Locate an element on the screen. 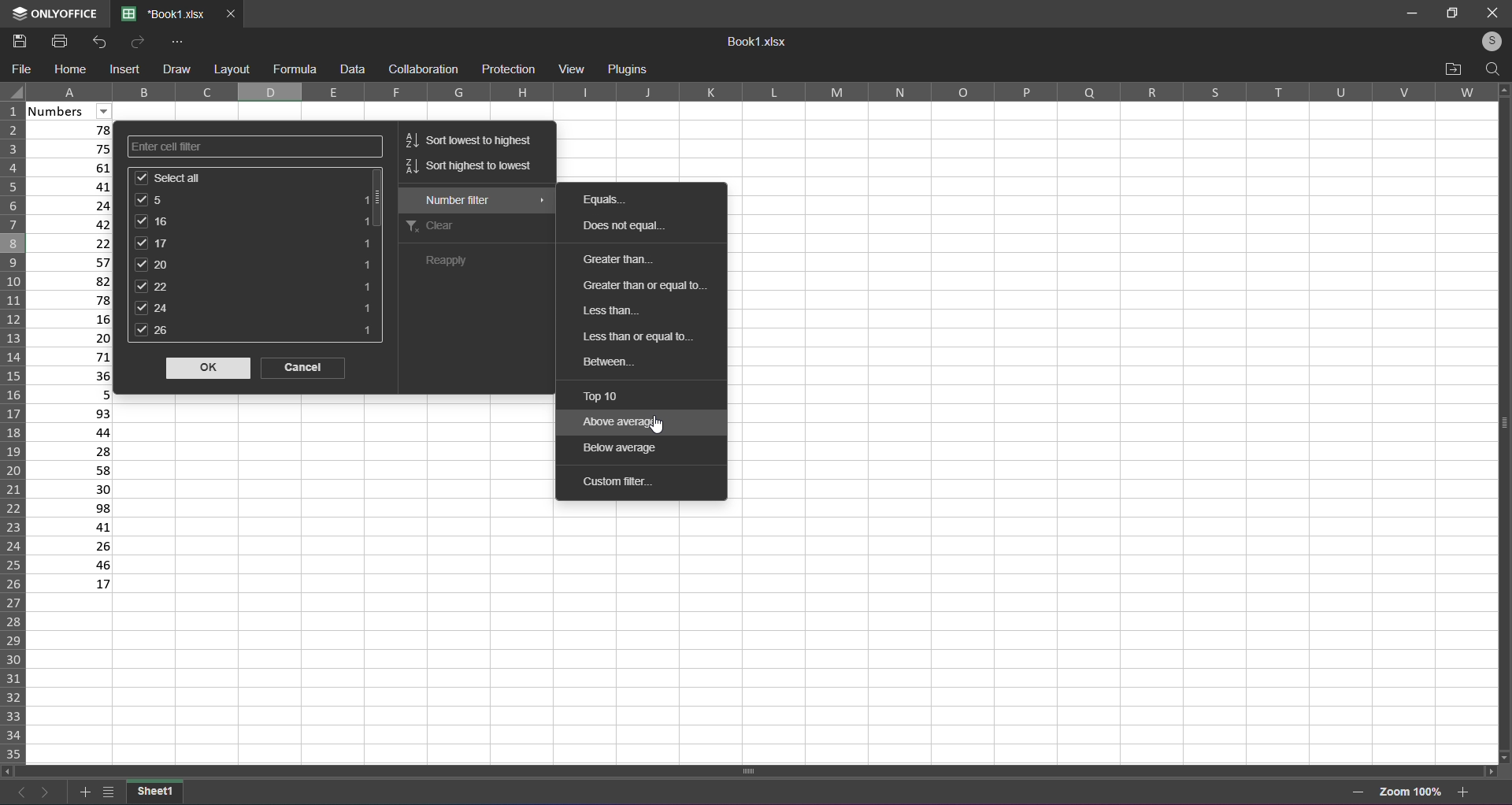 The image size is (1512, 805). 22 is located at coordinates (74, 242).